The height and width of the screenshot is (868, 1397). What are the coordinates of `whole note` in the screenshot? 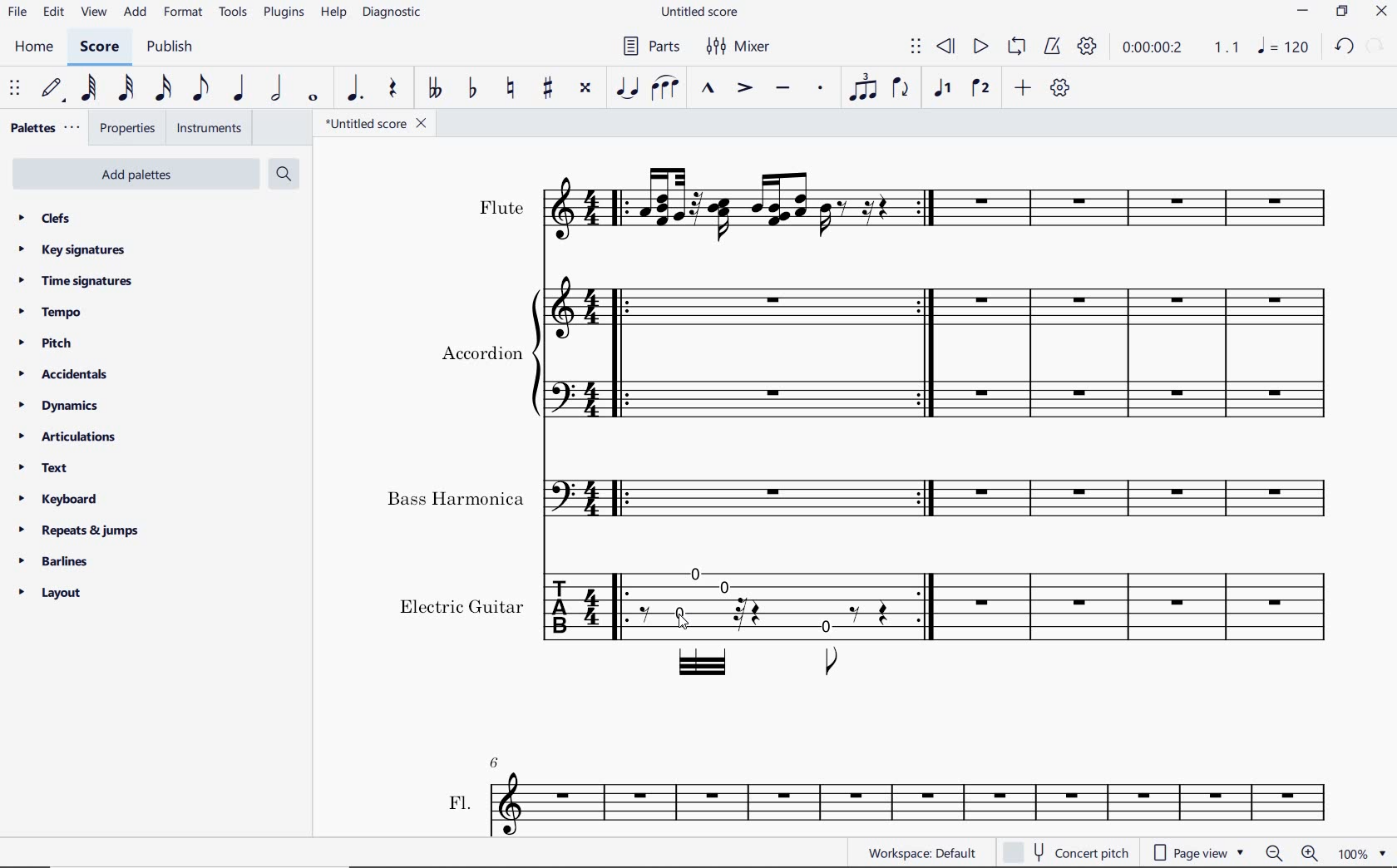 It's located at (313, 96).